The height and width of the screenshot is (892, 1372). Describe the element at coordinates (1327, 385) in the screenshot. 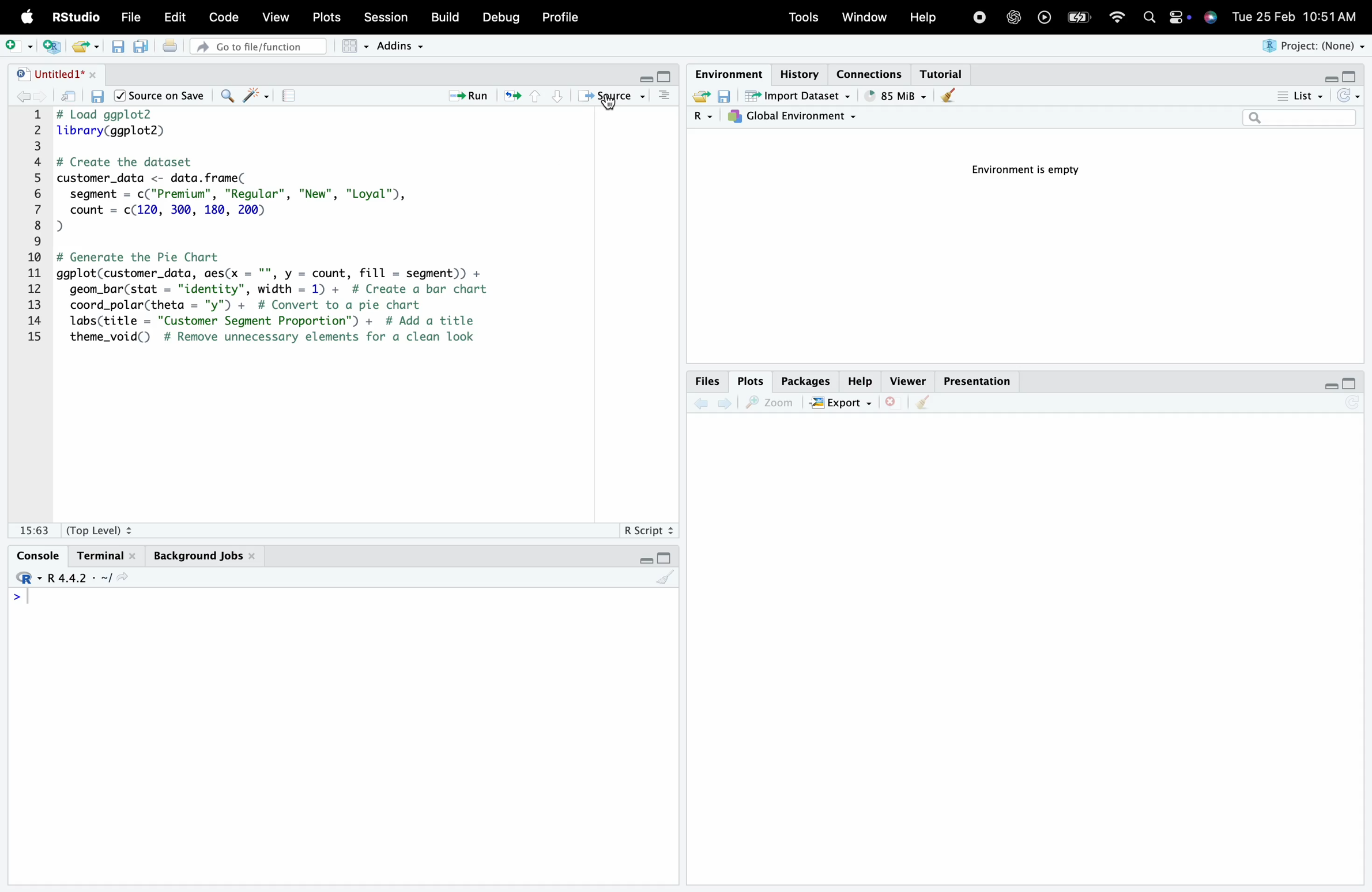

I see `minimise` at that location.